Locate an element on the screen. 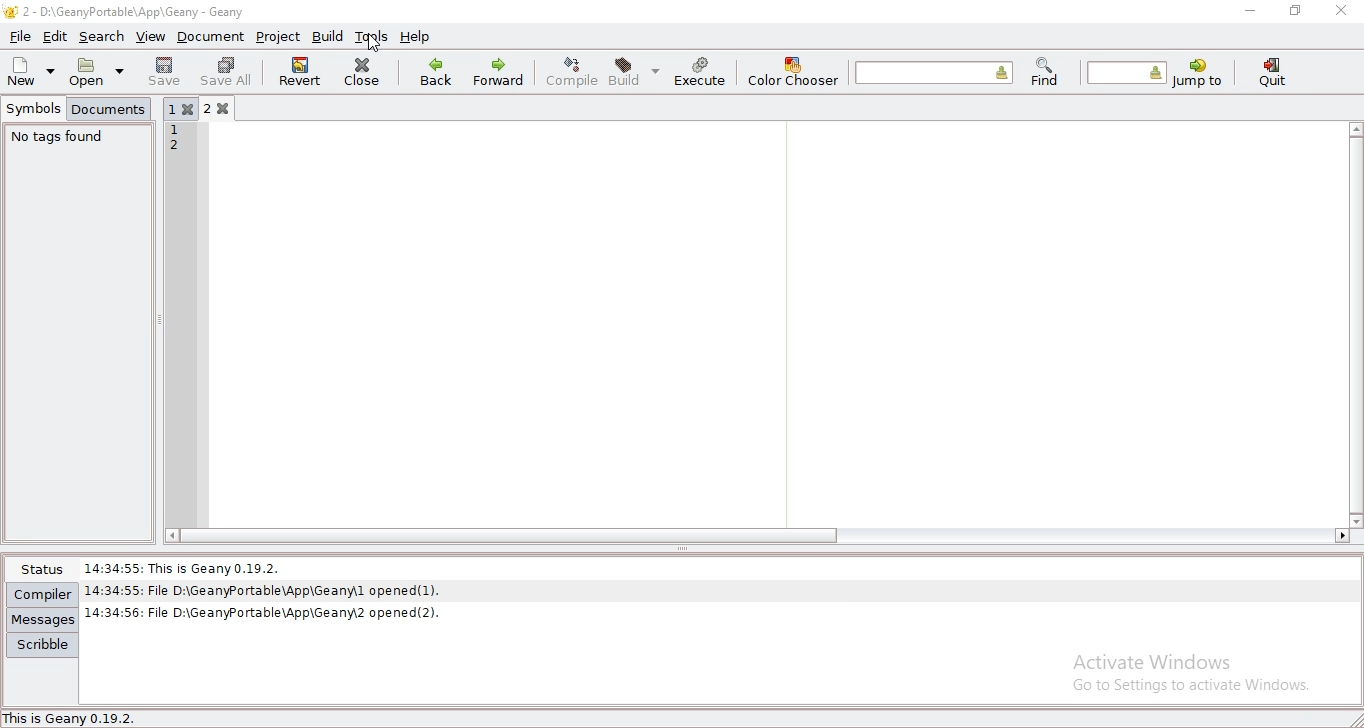 The height and width of the screenshot is (728, 1364). view is located at coordinates (150, 36).